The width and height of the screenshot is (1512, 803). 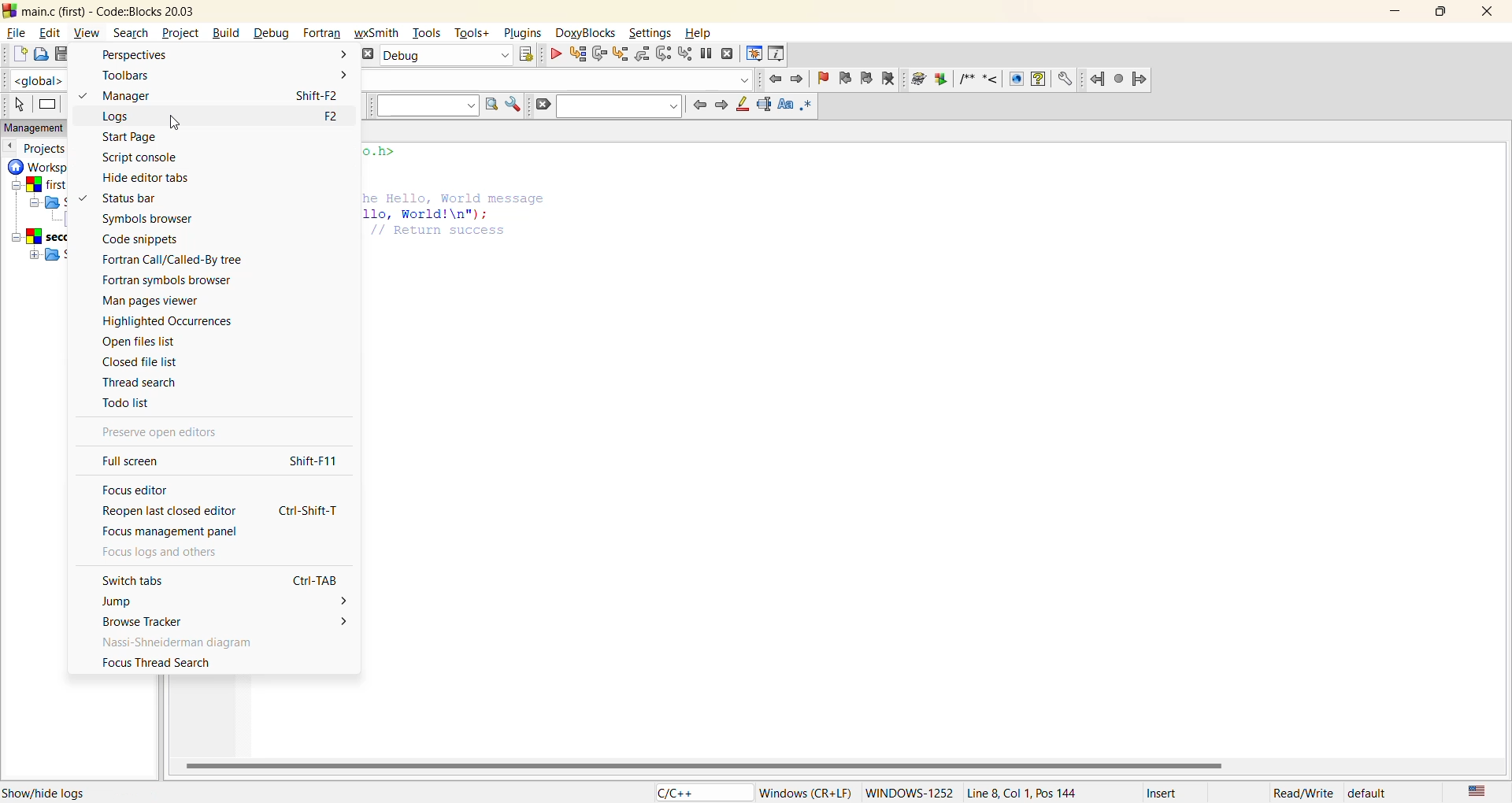 I want to click on horizontal scroll  bar, so click(x=702, y=764).